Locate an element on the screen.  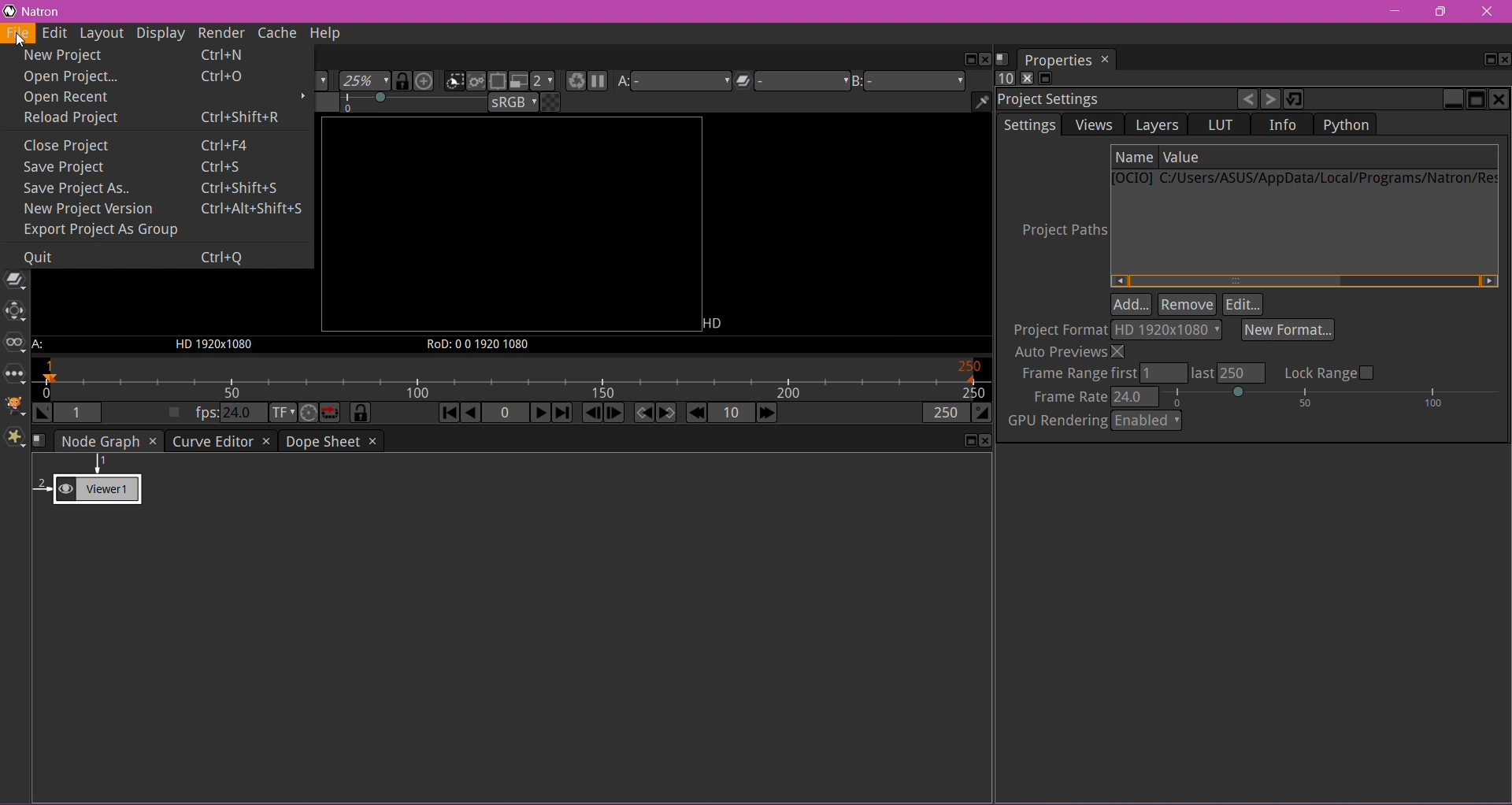
When enabled, all viewers will be synchronied to the same portion of the image in the viewport is located at coordinates (403, 83).